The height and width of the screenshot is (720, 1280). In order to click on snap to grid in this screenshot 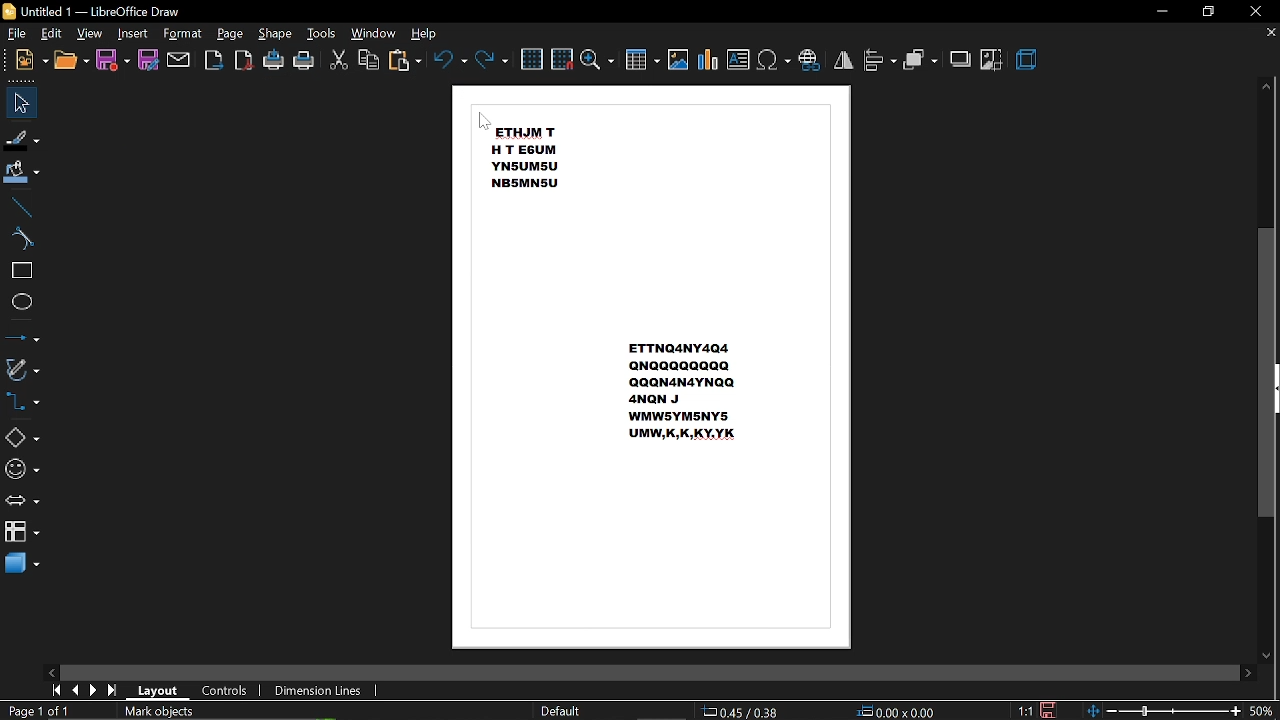, I will do `click(562, 58)`.